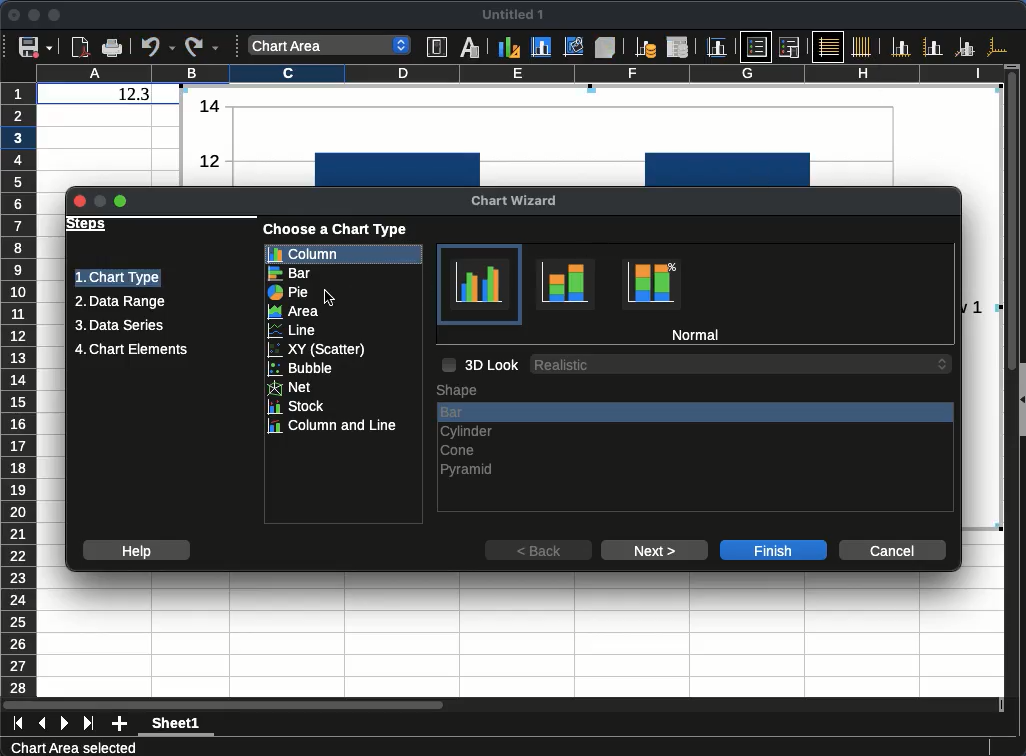 The image size is (1026, 756). What do you see at coordinates (119, 326) in the screenshot?
I see `data series` at bounding box center [119, 326].